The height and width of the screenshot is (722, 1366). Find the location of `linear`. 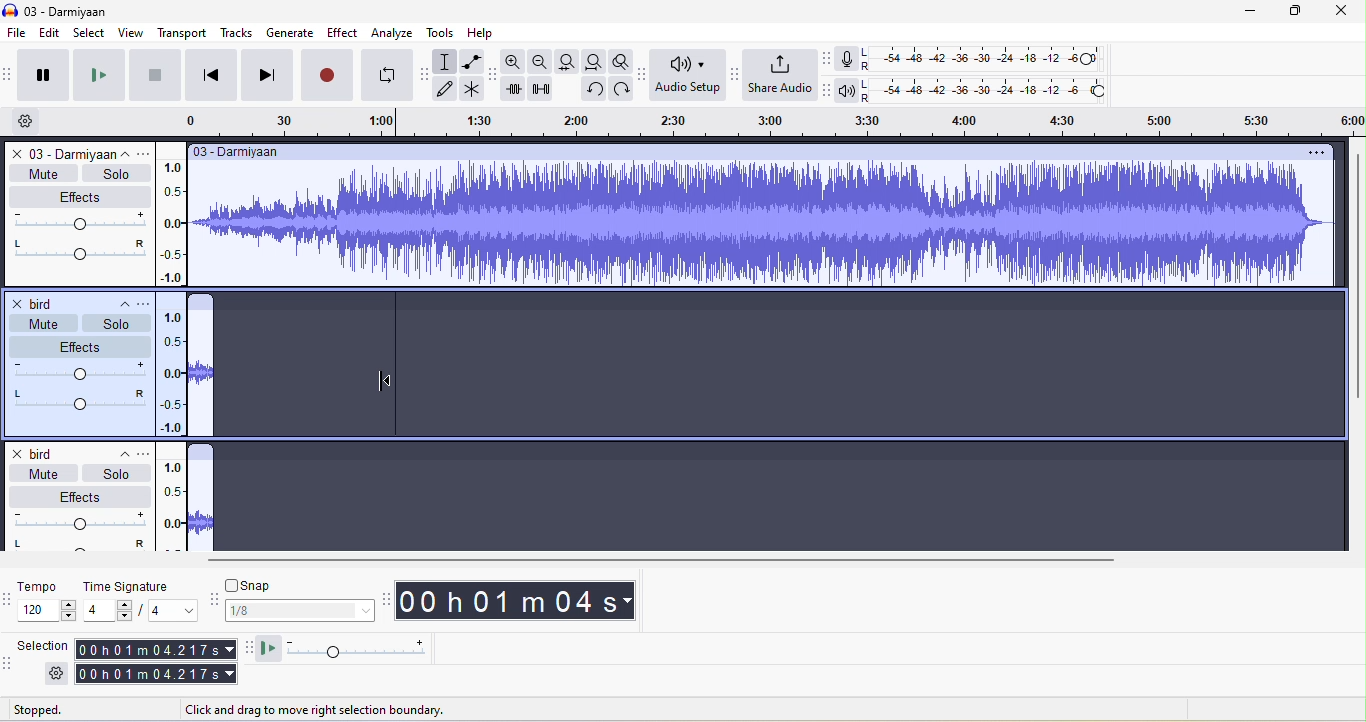

linear is located at coordinates (174, 216).